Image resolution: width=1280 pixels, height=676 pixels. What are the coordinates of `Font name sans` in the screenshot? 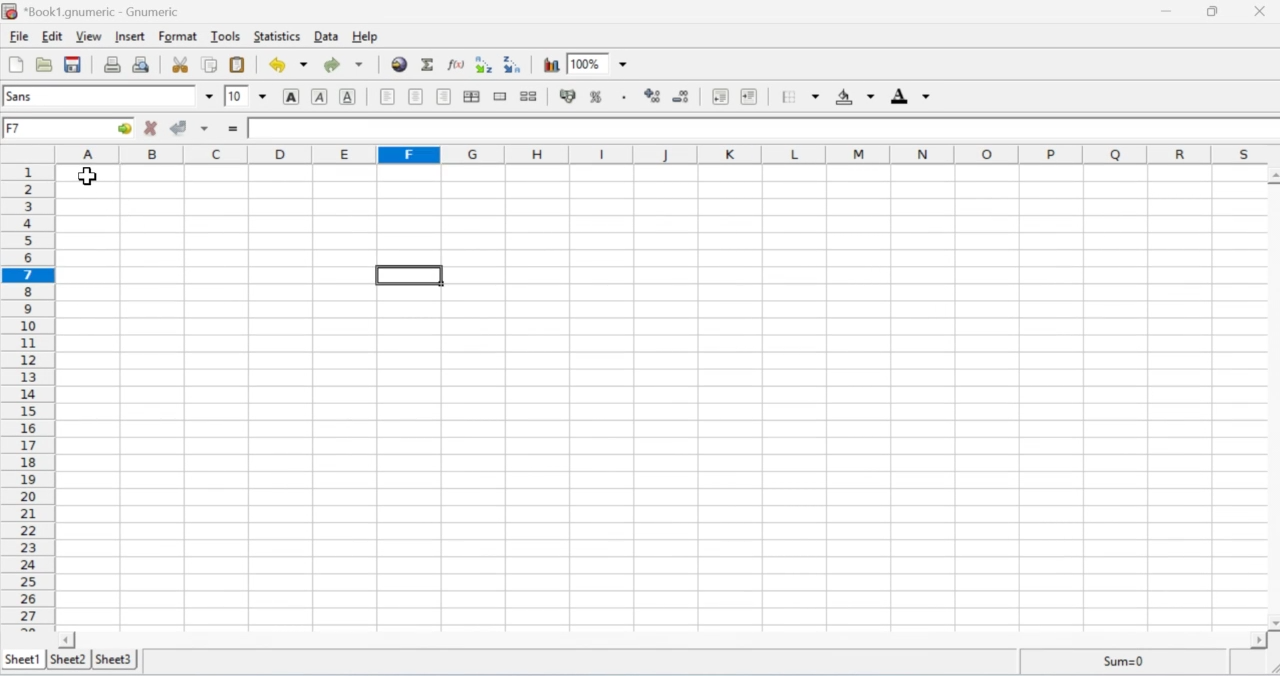 It's located at (109, 97).